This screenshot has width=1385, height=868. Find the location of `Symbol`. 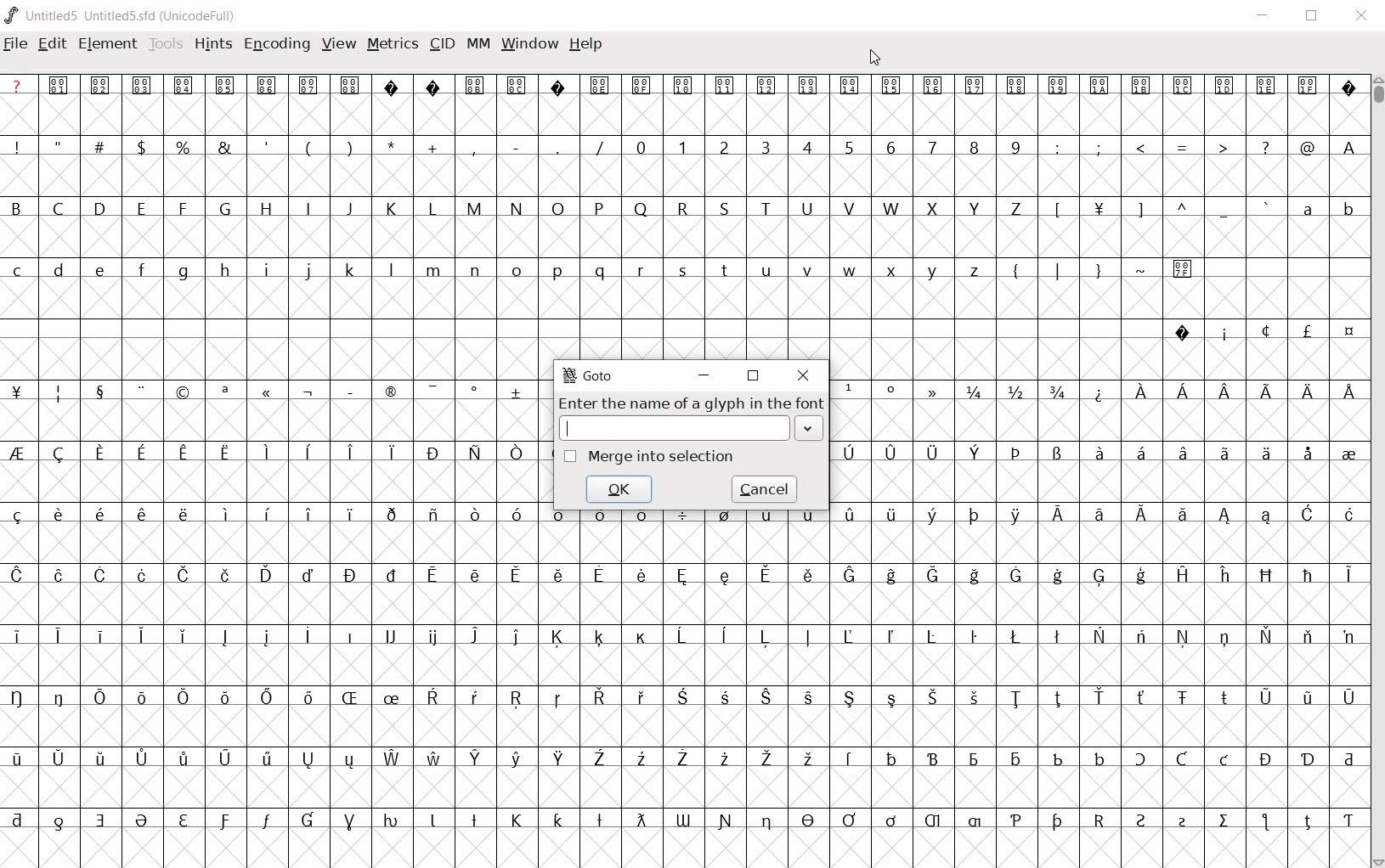

Symbol is located at coordinates (1098, 516).